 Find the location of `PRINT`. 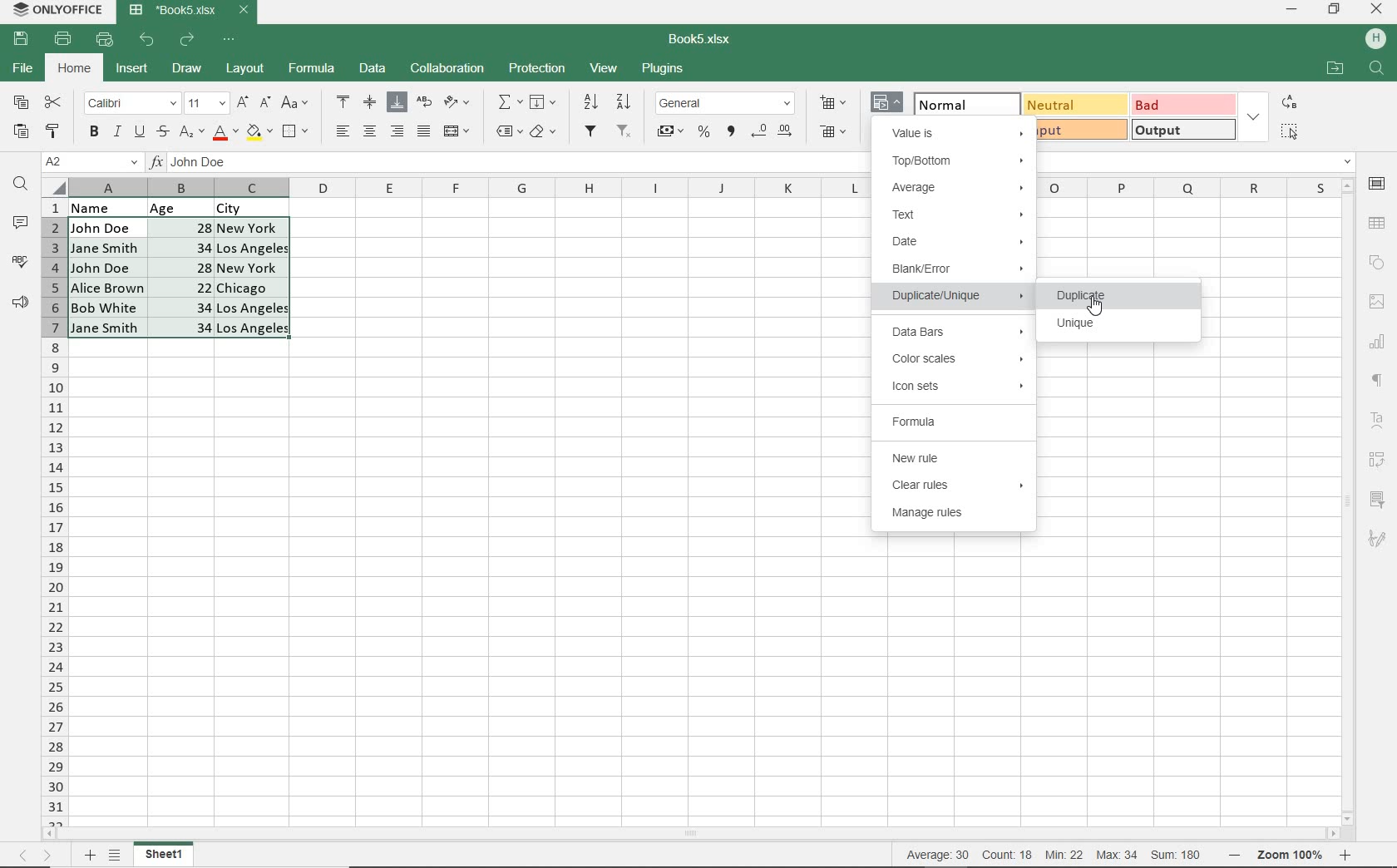

PRINT is located at coordinates (63, 38).